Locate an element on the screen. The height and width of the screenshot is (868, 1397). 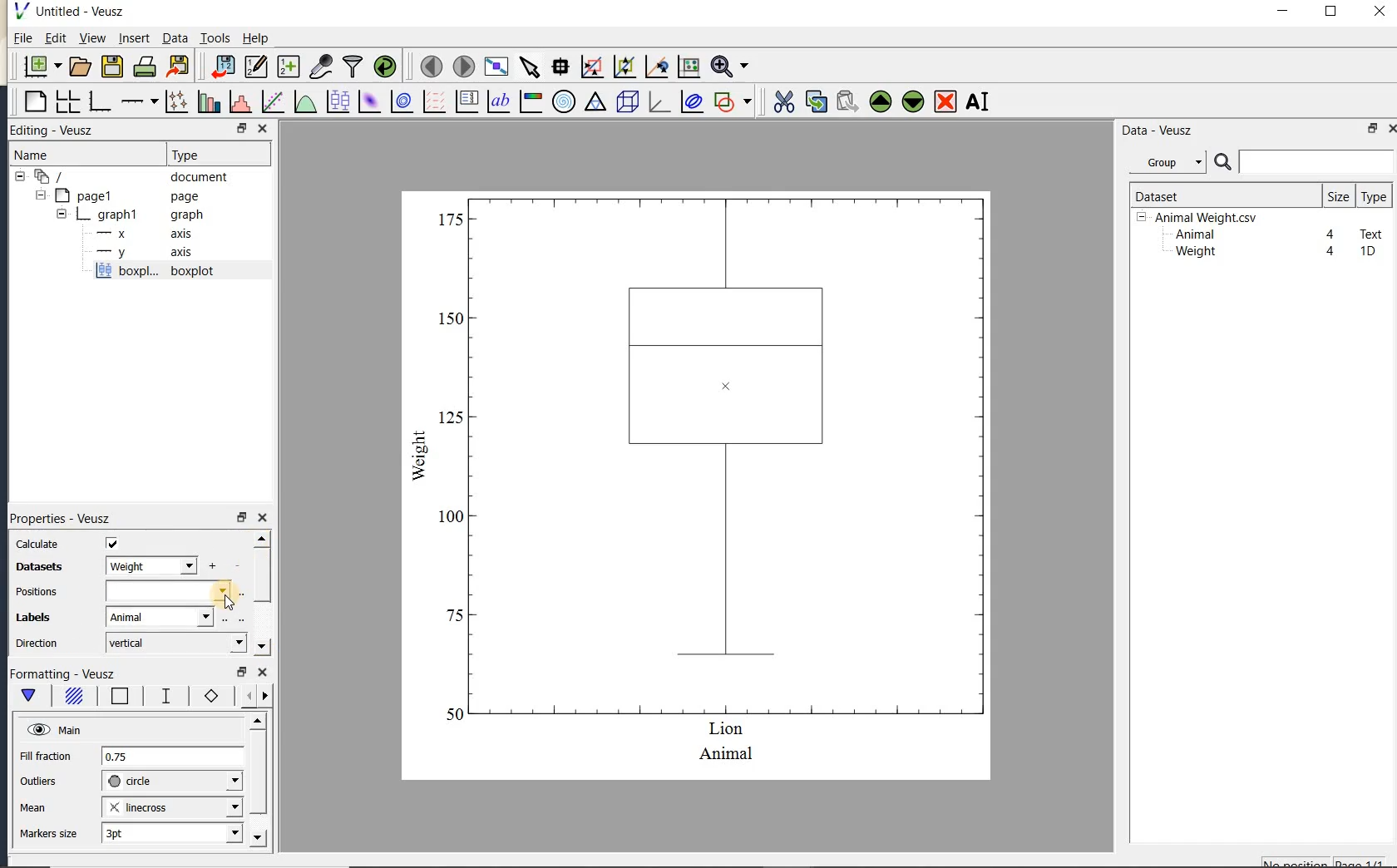
weight is located at coordinates (153, 566).